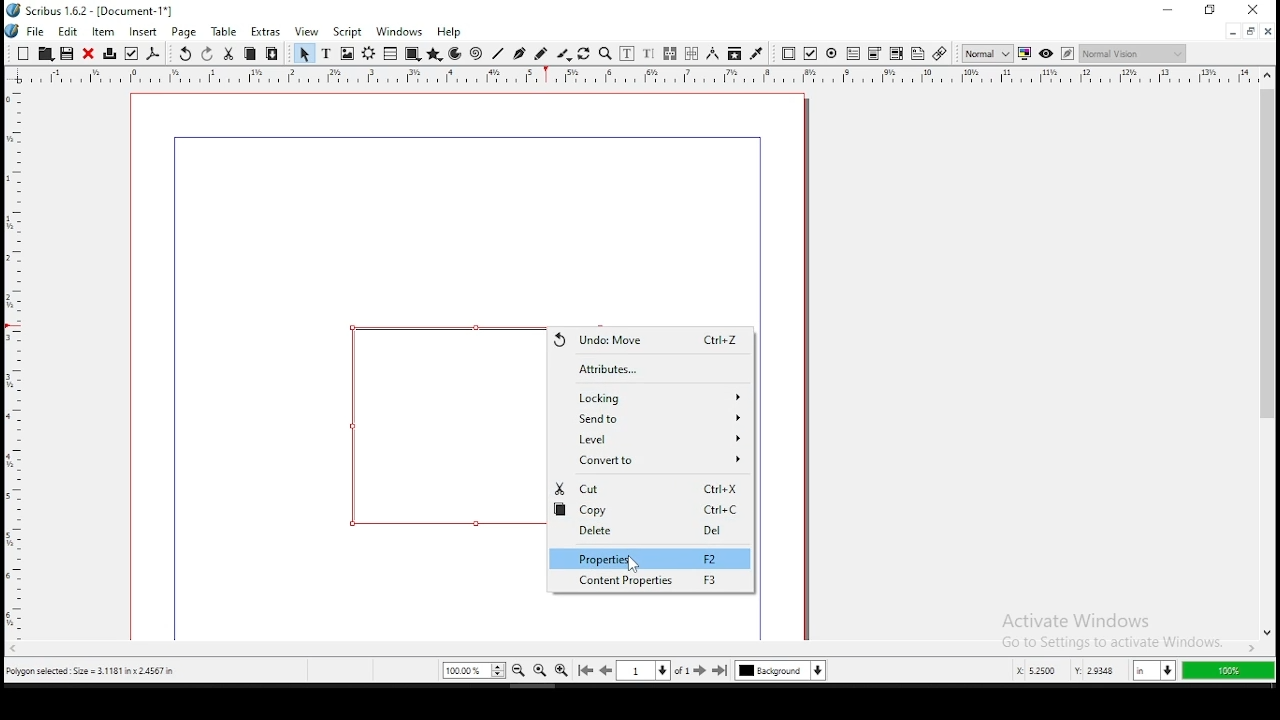 This screenshot has height=720, width=1280. Describe the element at coordinates (1044, 53) in the screenshot. I see `preview mode` at that location.